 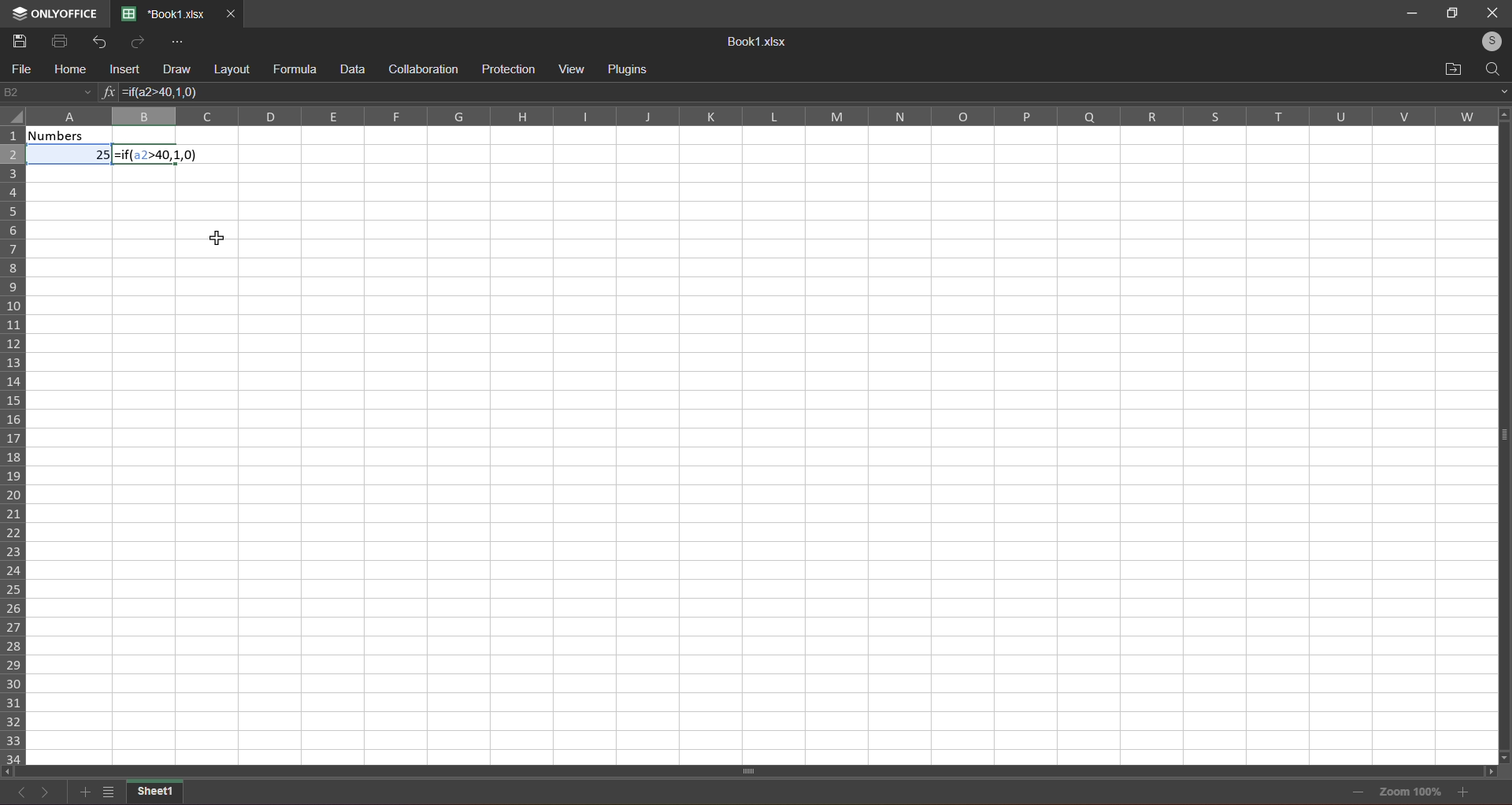 What do you see at coordinates (215, 239) in the screenshot?
I see `cursor` at bounding box center [215, 239].